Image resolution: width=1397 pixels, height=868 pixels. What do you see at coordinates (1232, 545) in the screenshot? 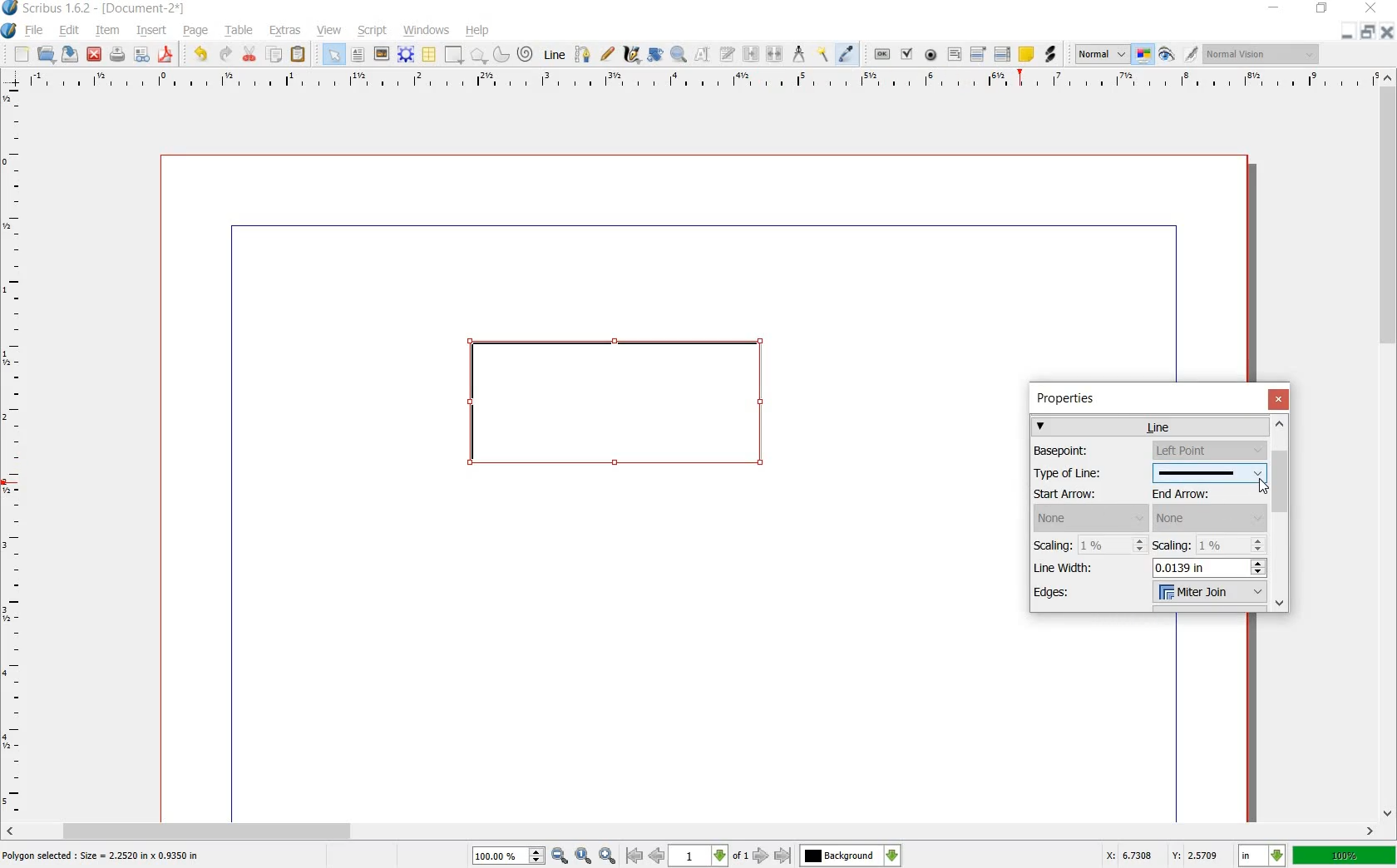
I see `1%` at bounding box center [1232, 545].